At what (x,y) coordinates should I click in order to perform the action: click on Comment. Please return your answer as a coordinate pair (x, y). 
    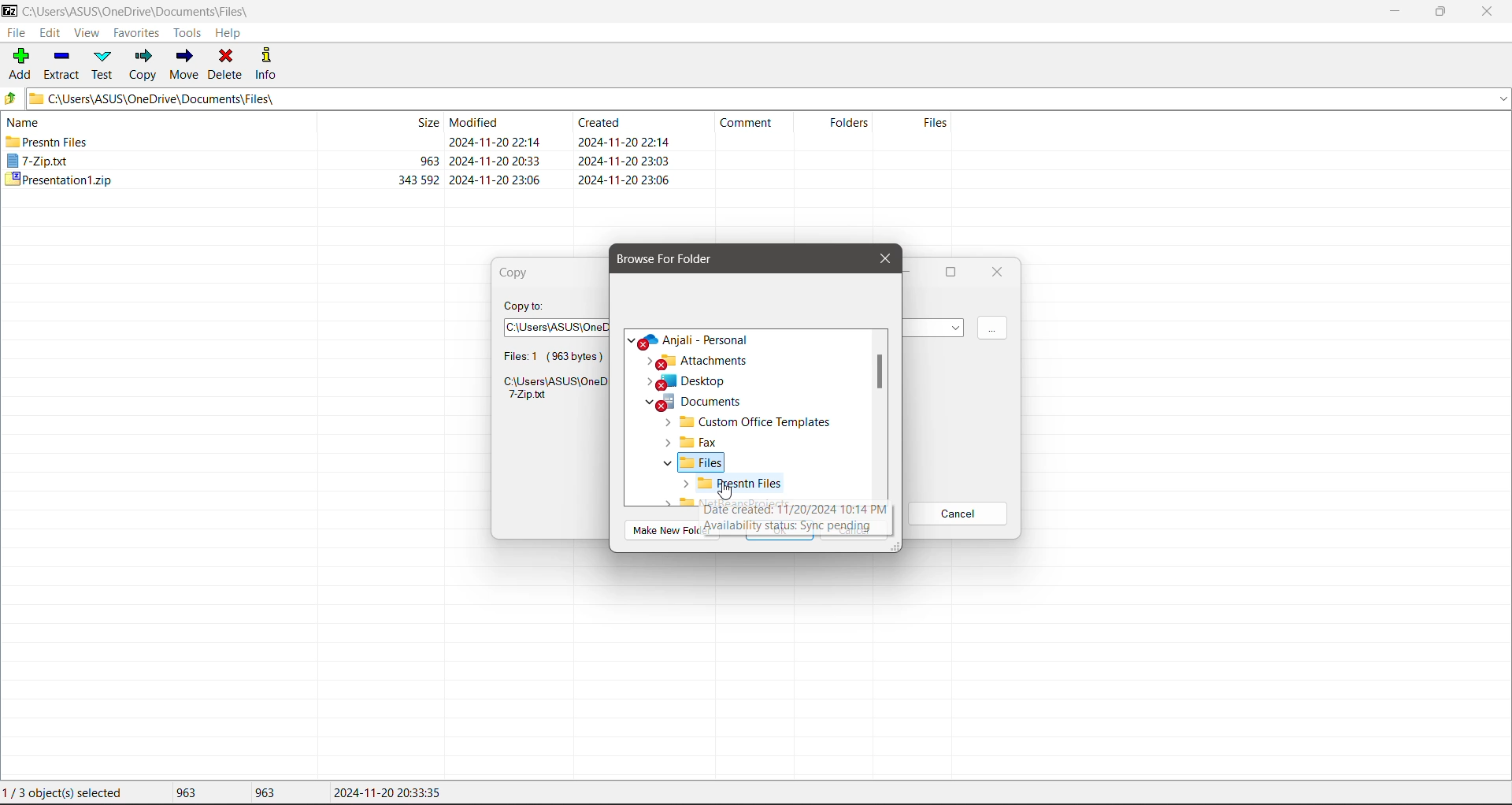
    Looking at the image, I should click on (753, 126).